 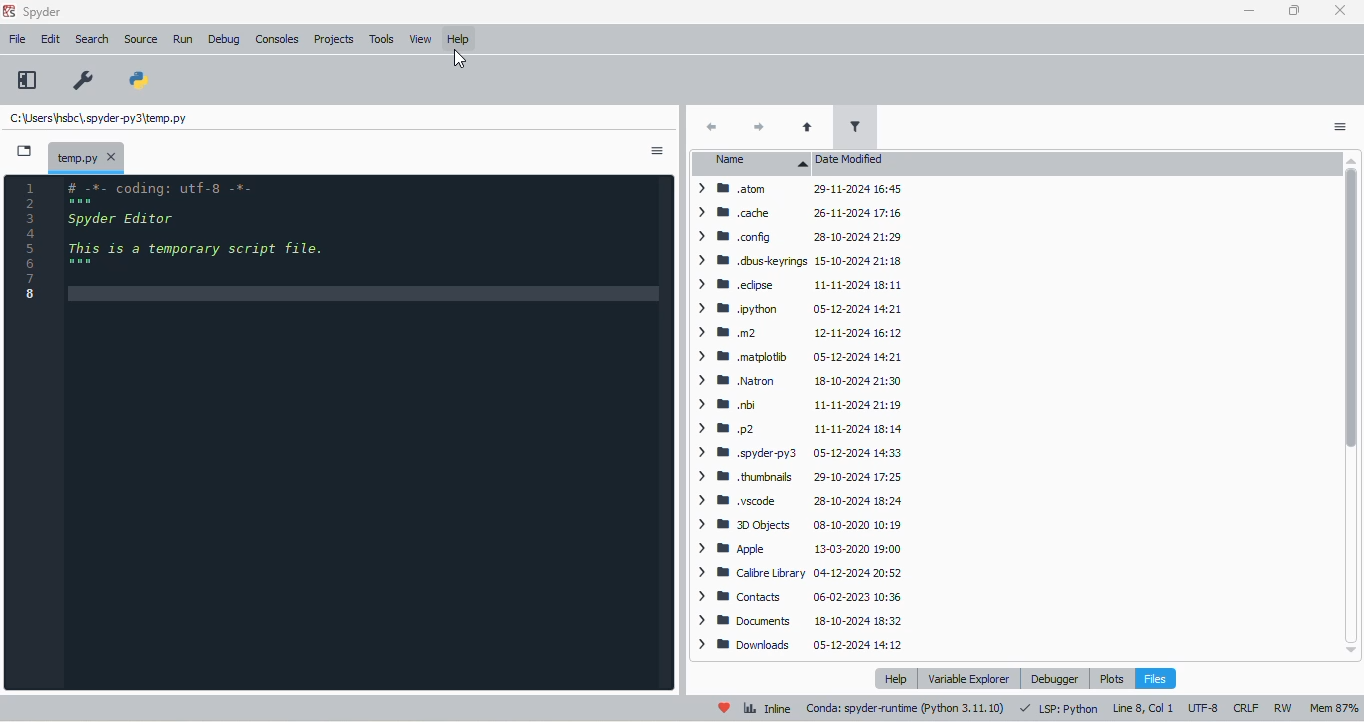 What do you see at coordinates (797, 237) in the screenshot?
I see `> BB config 28-10-2024 21:29` at bounding box center [797, 237].